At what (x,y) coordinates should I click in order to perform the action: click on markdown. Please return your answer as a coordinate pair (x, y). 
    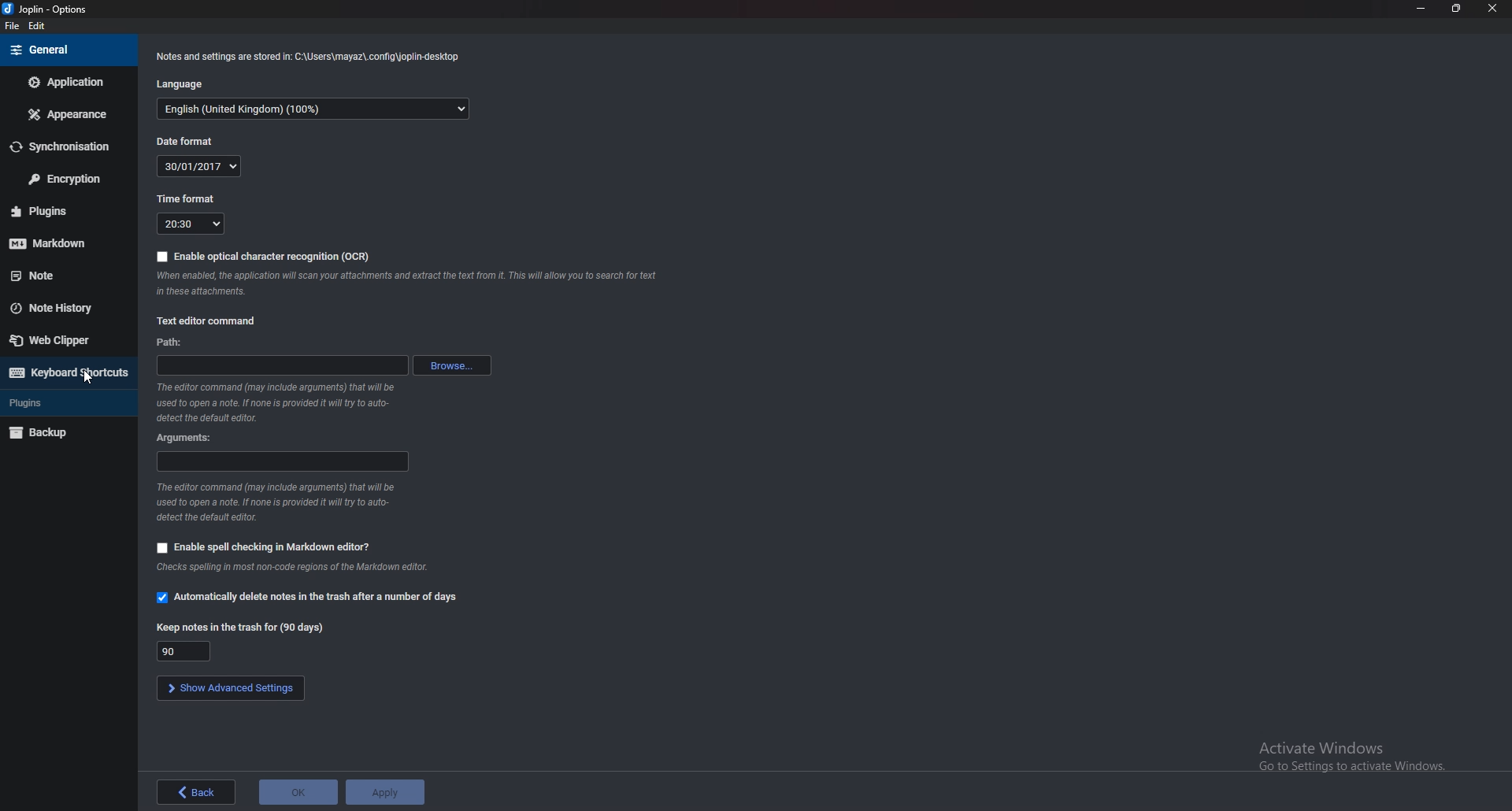
    Looking at the image, I should click on (61, 243).